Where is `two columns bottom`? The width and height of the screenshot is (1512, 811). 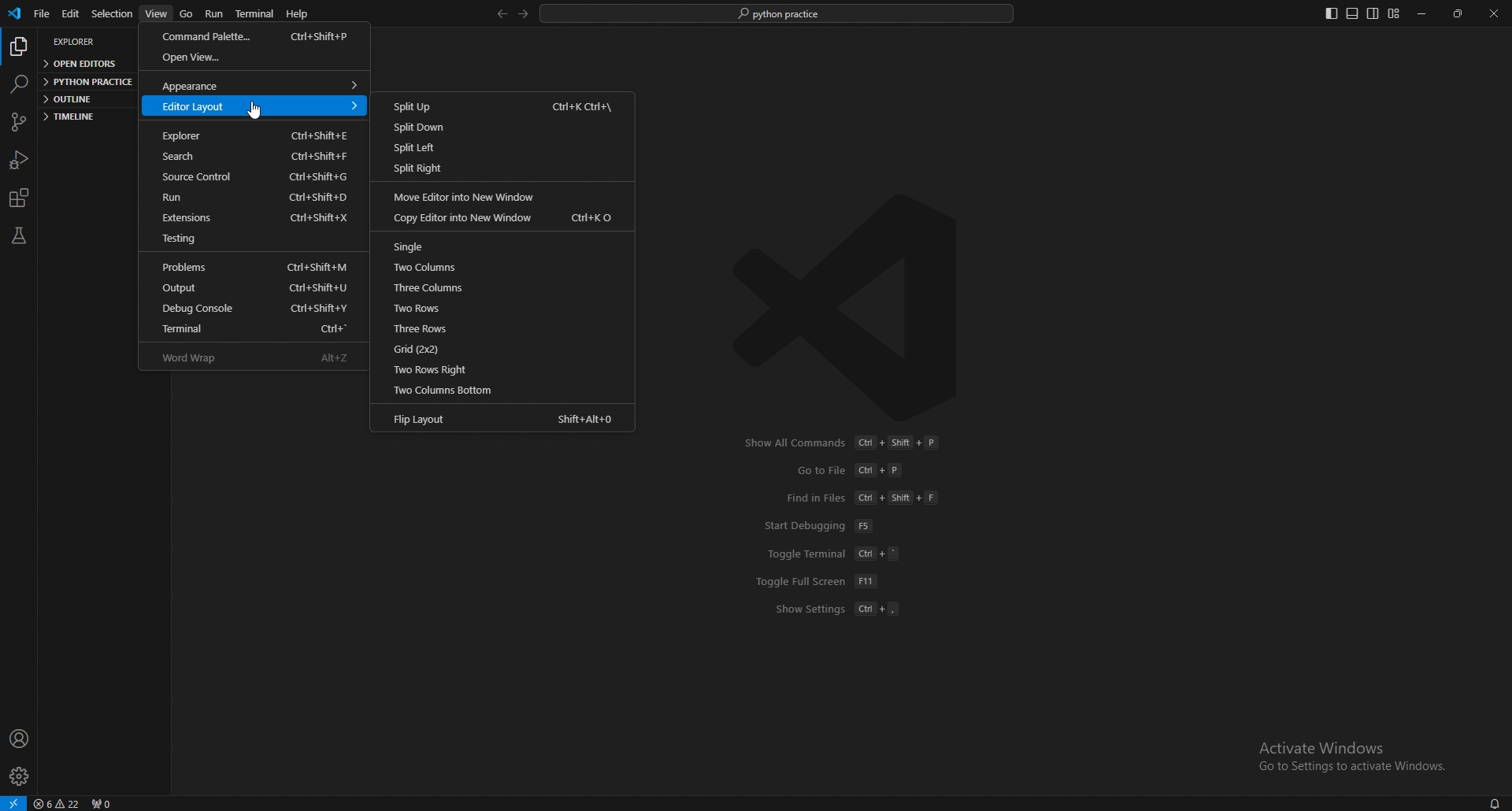 two columns bottom is located at coordinates (496, 391).